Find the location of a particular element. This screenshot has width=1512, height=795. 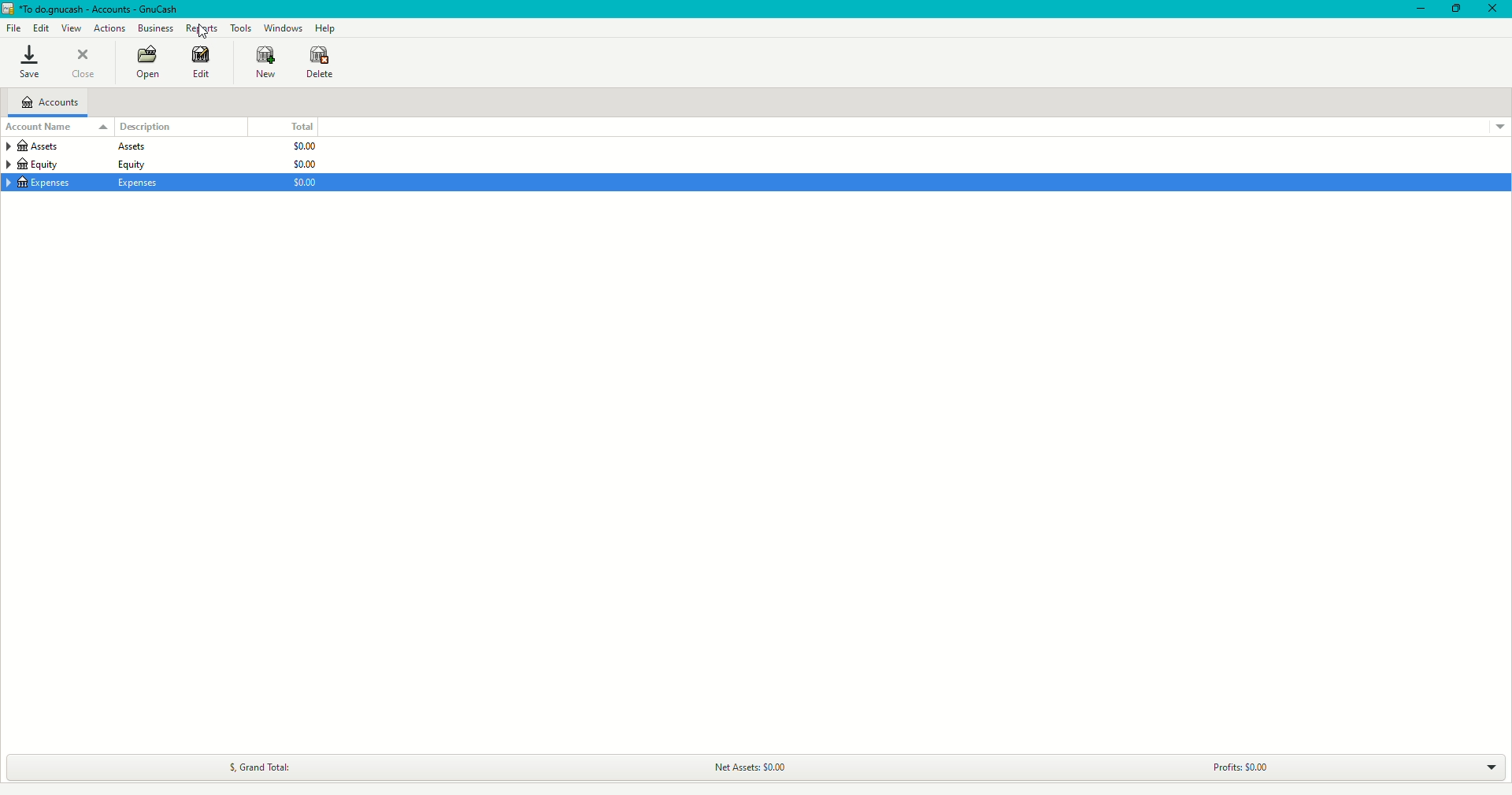

Windows is located at coordinates (284, 28).